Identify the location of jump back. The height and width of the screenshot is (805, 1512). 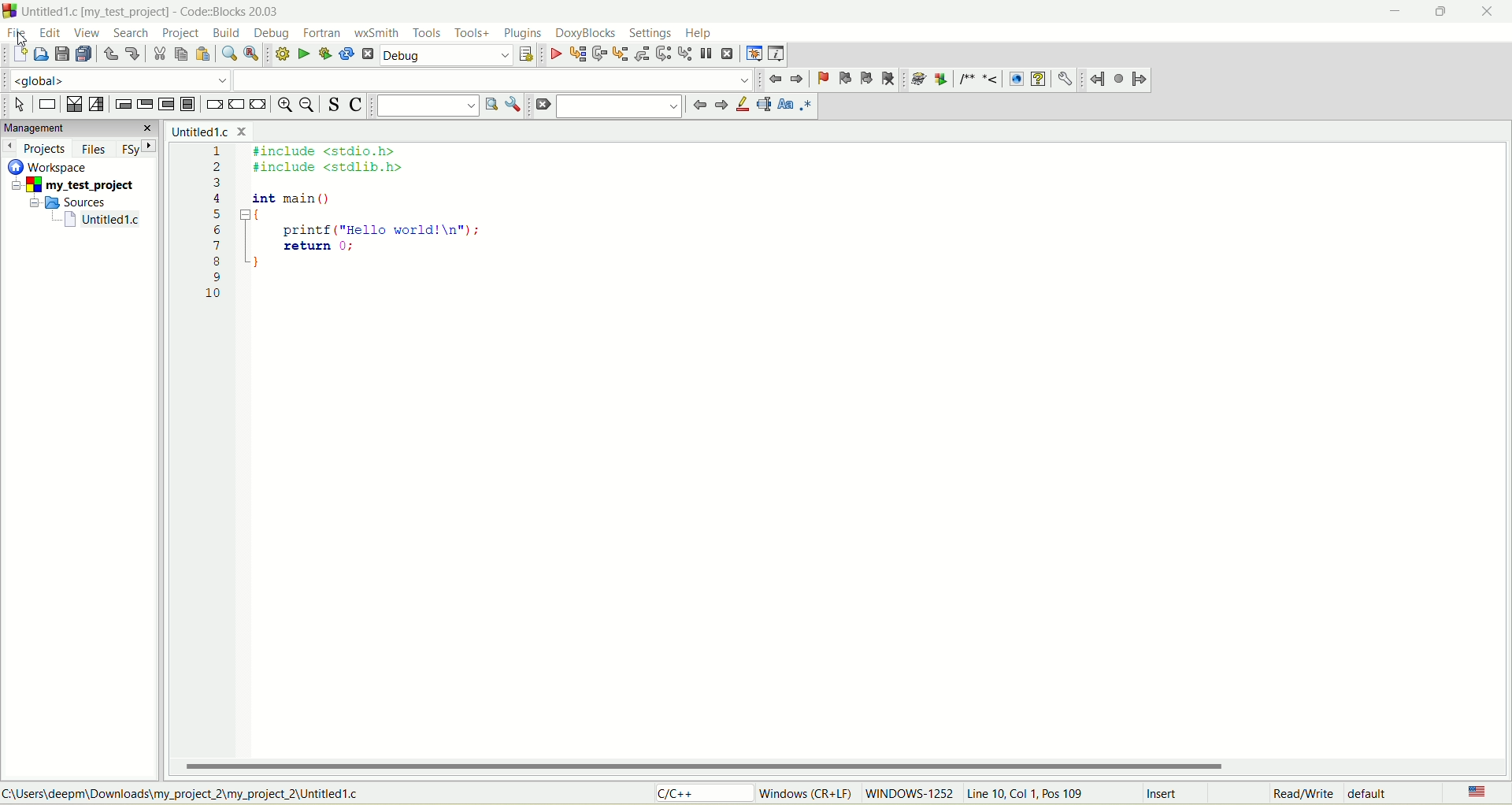
(776, 80).